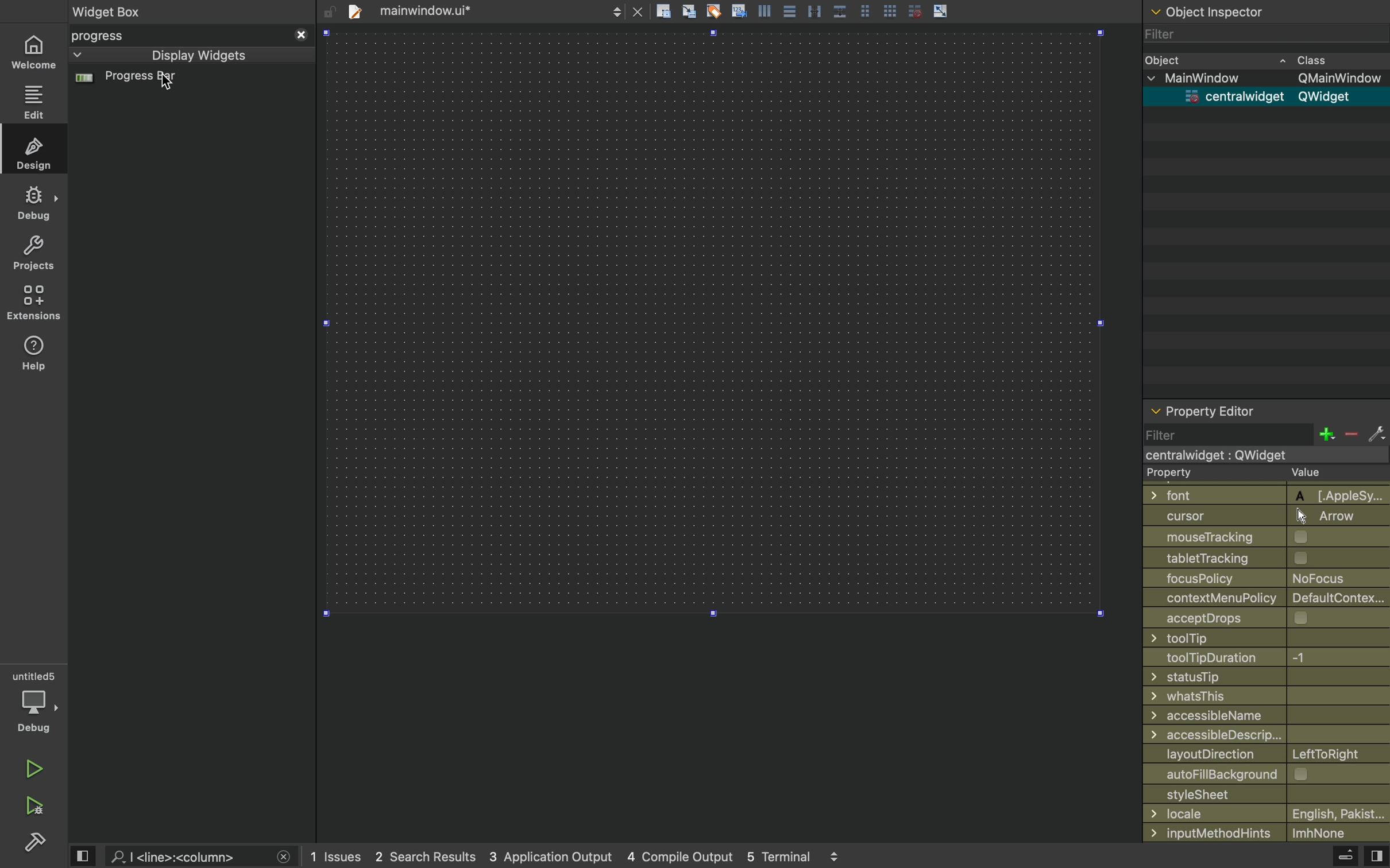  Describe the element at coordinates (34, 102) in the screenshot. I see `edit` at that location.